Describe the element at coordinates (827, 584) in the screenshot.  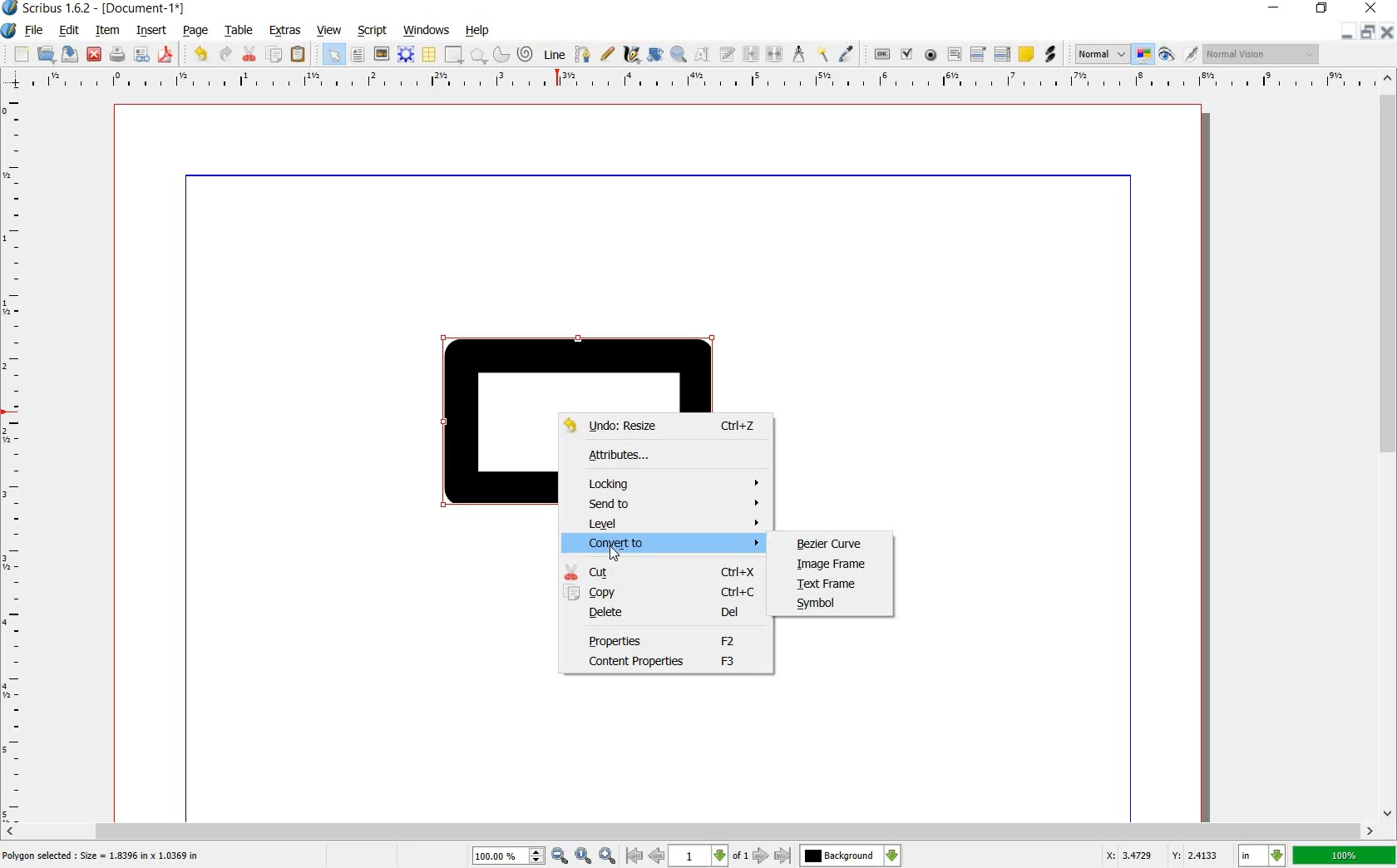
I see `TEXT FRAME` at that location.